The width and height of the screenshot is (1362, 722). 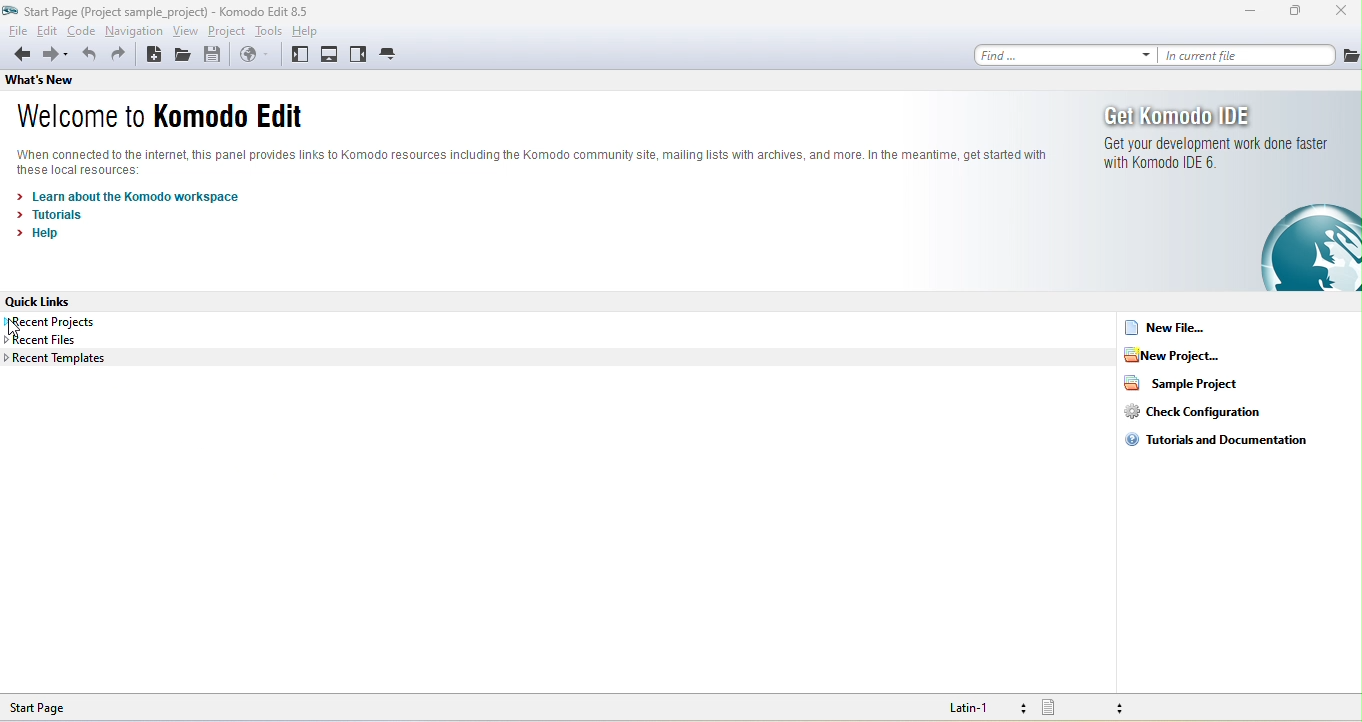 What do you see at coordinates (1080, 708) in the screenshot?
I see `file type` at bounding box center [1080, 708].